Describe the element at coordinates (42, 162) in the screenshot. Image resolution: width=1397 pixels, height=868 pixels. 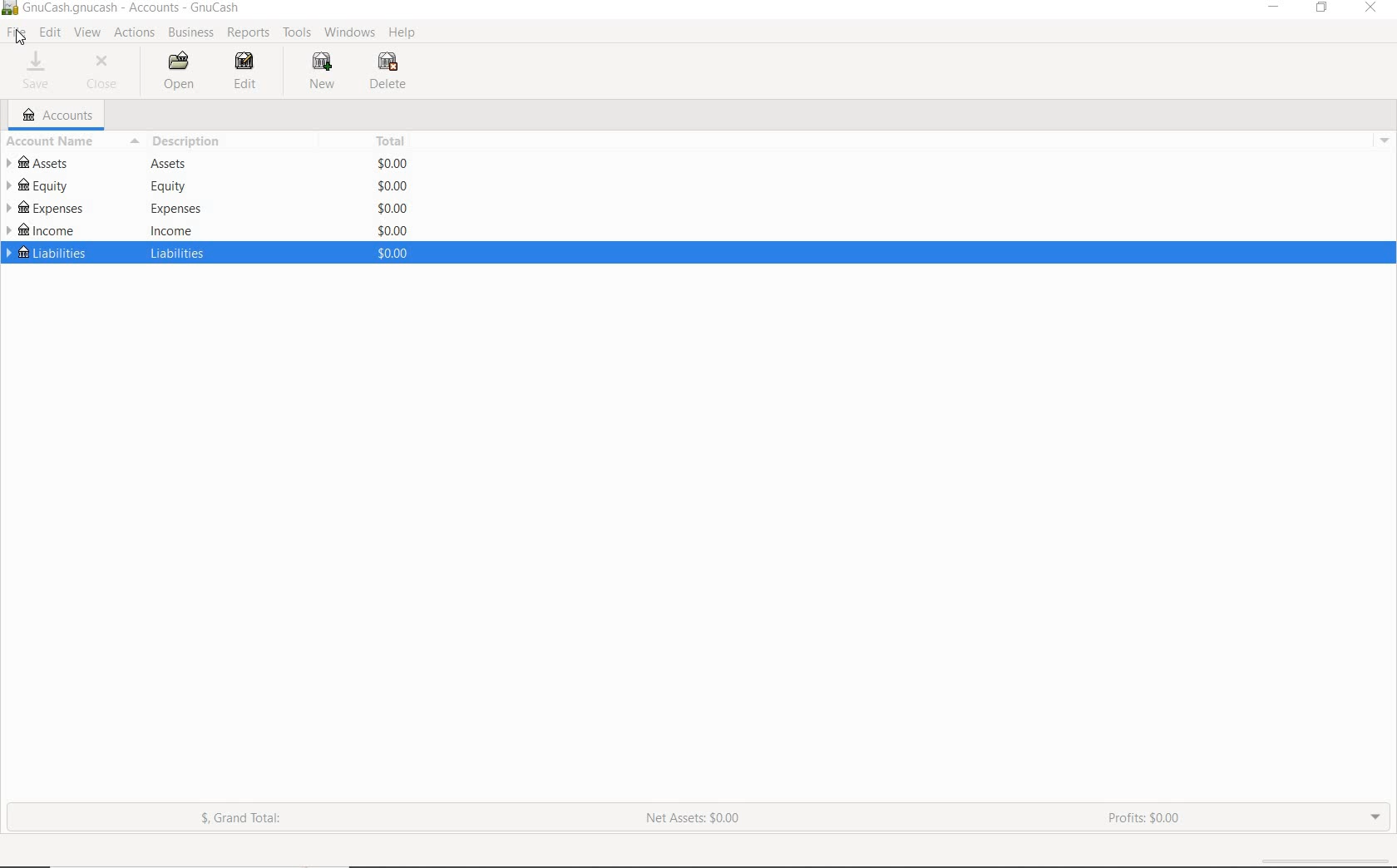
I see `ASSETS` at that location.